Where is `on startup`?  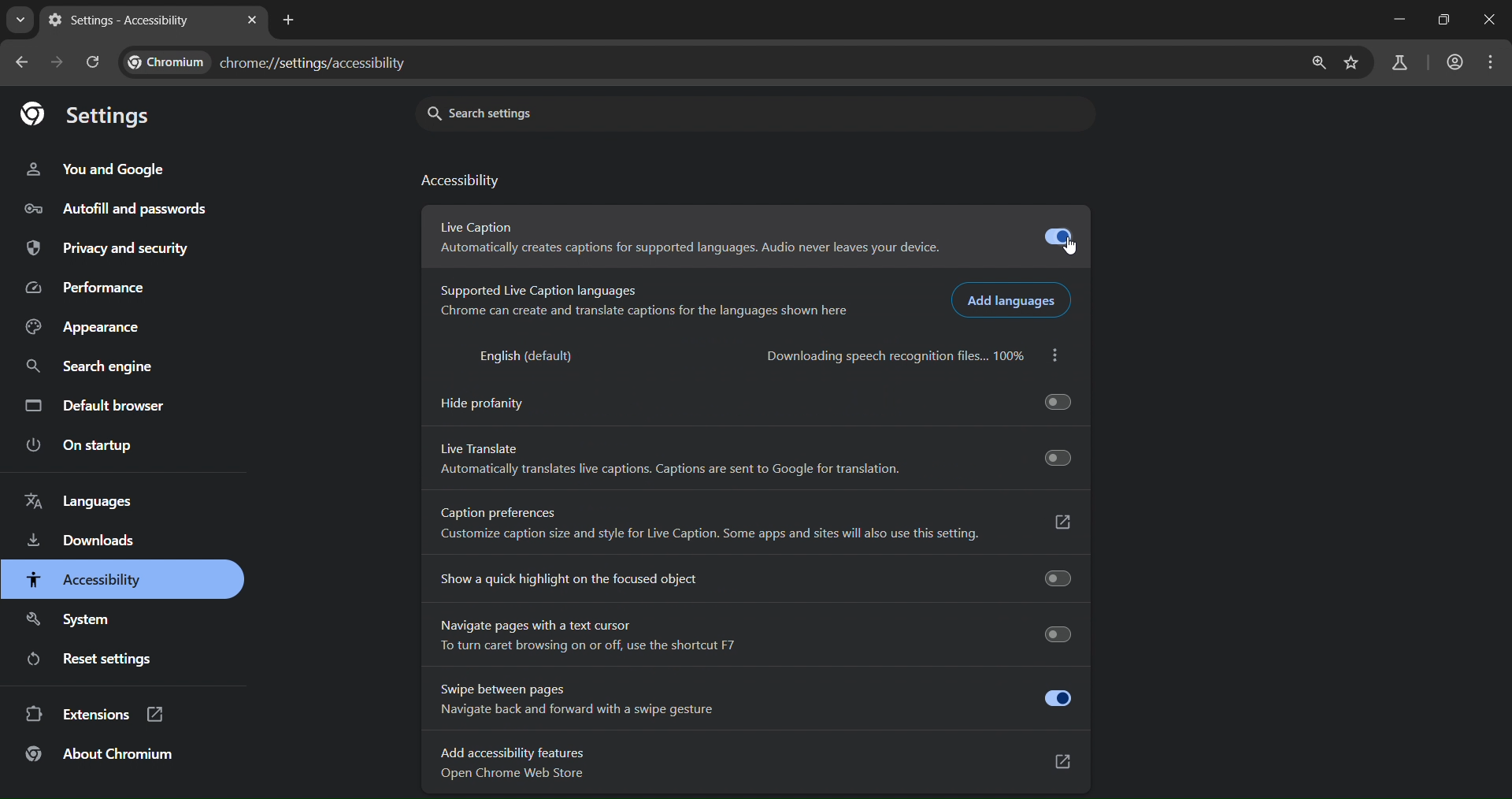
on startup is located at coordinates (78, 446).